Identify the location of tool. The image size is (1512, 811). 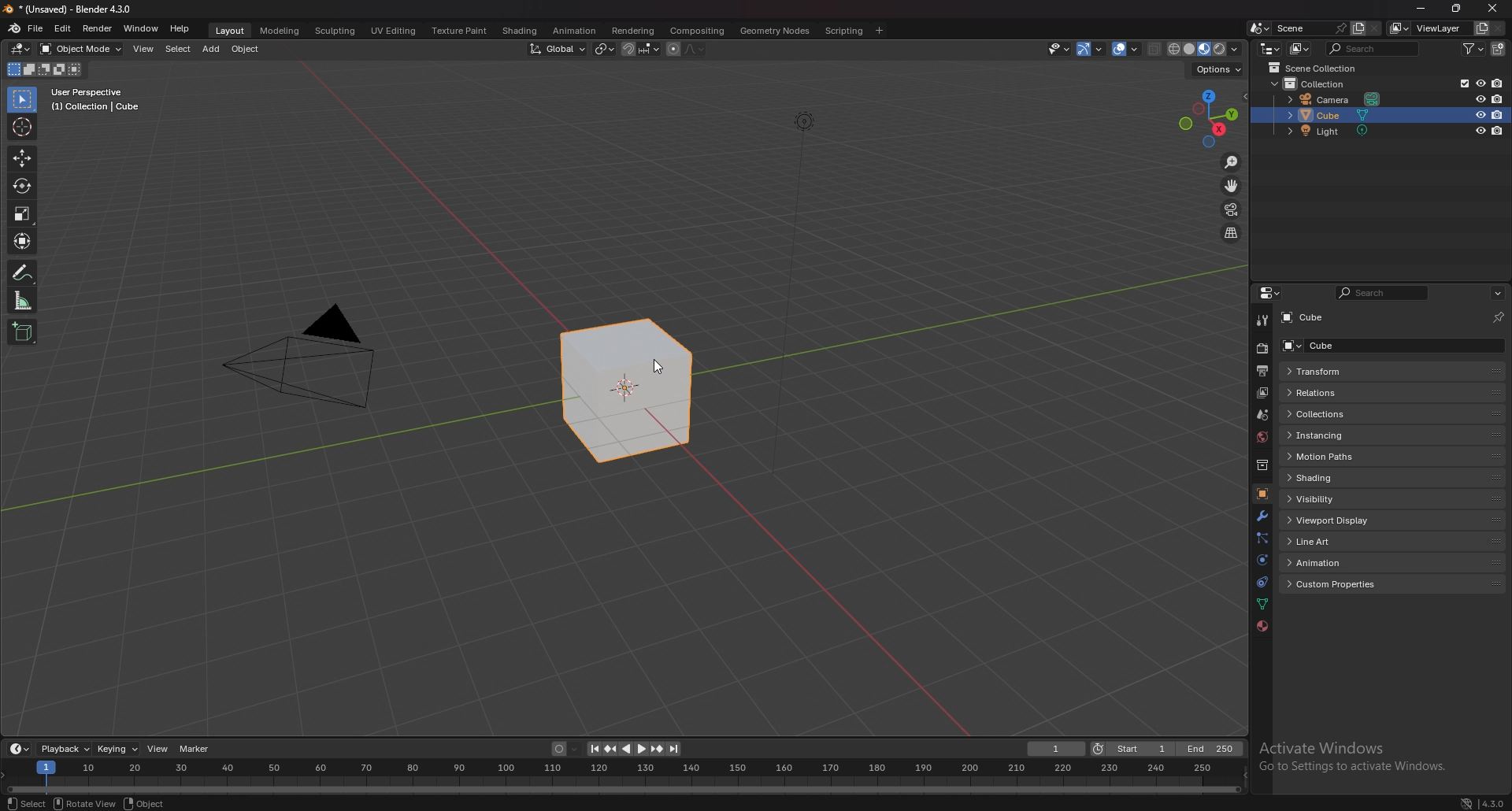
(1260, 322).